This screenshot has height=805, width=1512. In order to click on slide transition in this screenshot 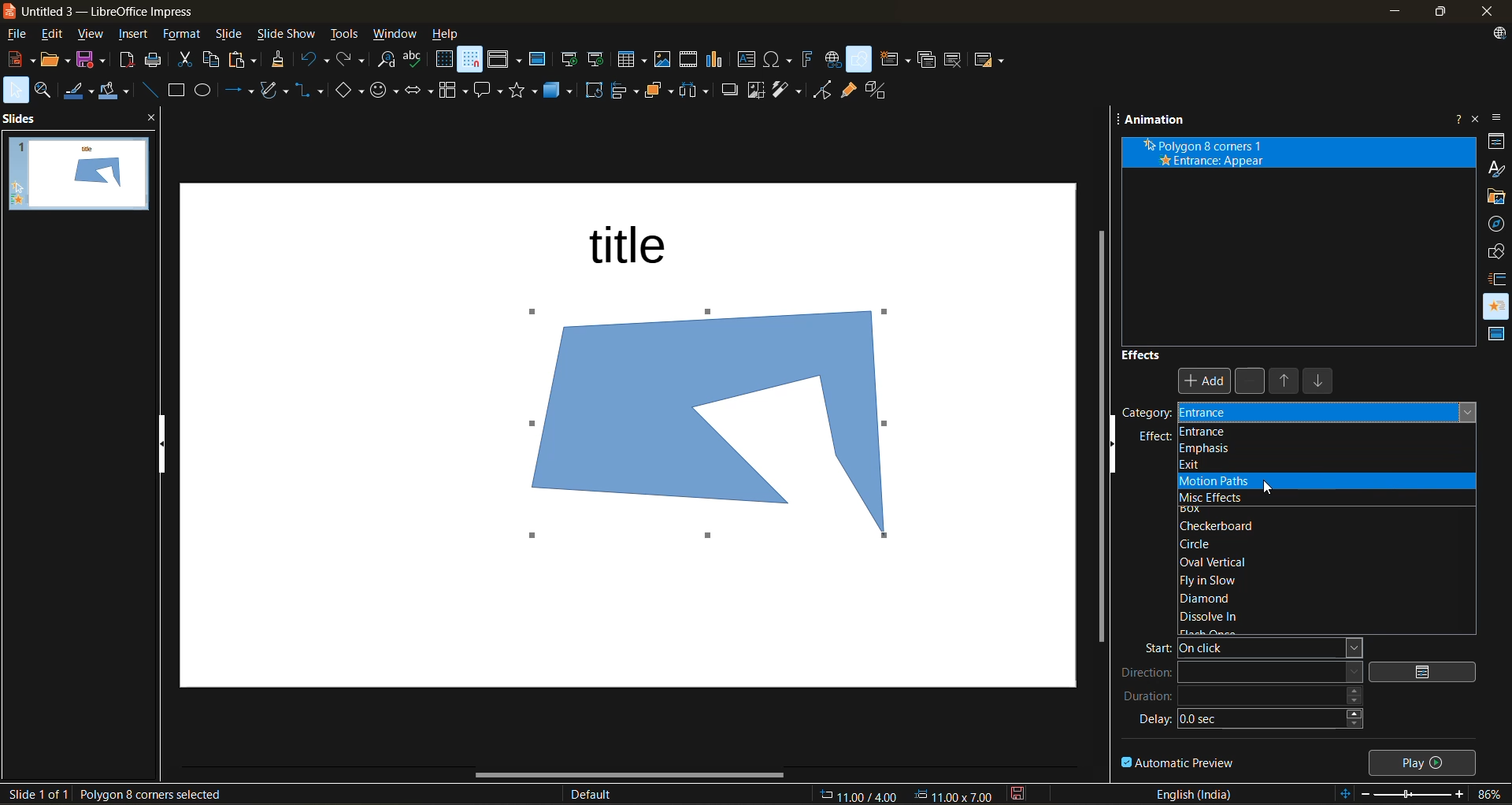, I will do `click(1495, 276)`.